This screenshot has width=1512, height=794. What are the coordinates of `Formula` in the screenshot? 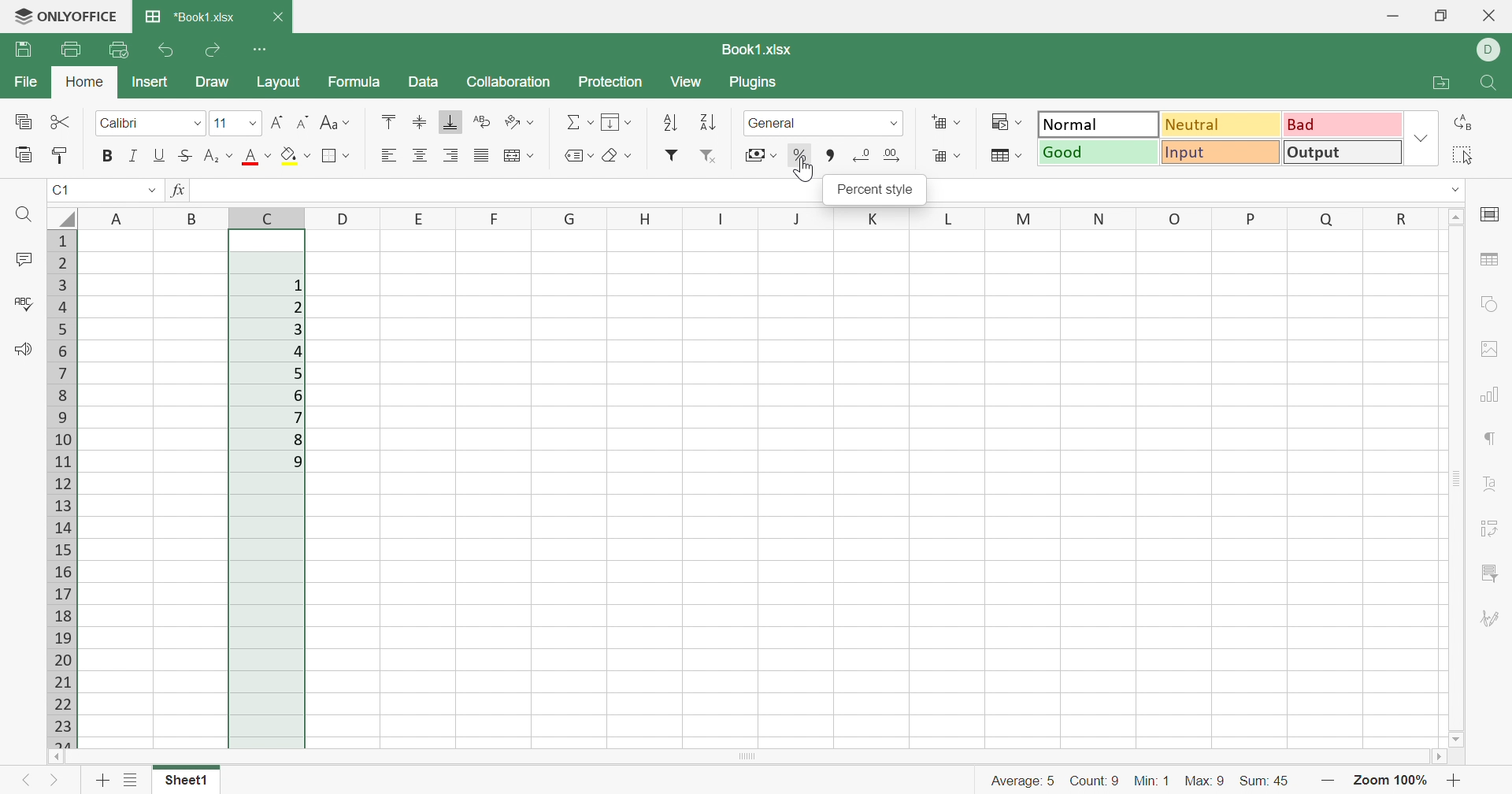 It's located at (360, 83).